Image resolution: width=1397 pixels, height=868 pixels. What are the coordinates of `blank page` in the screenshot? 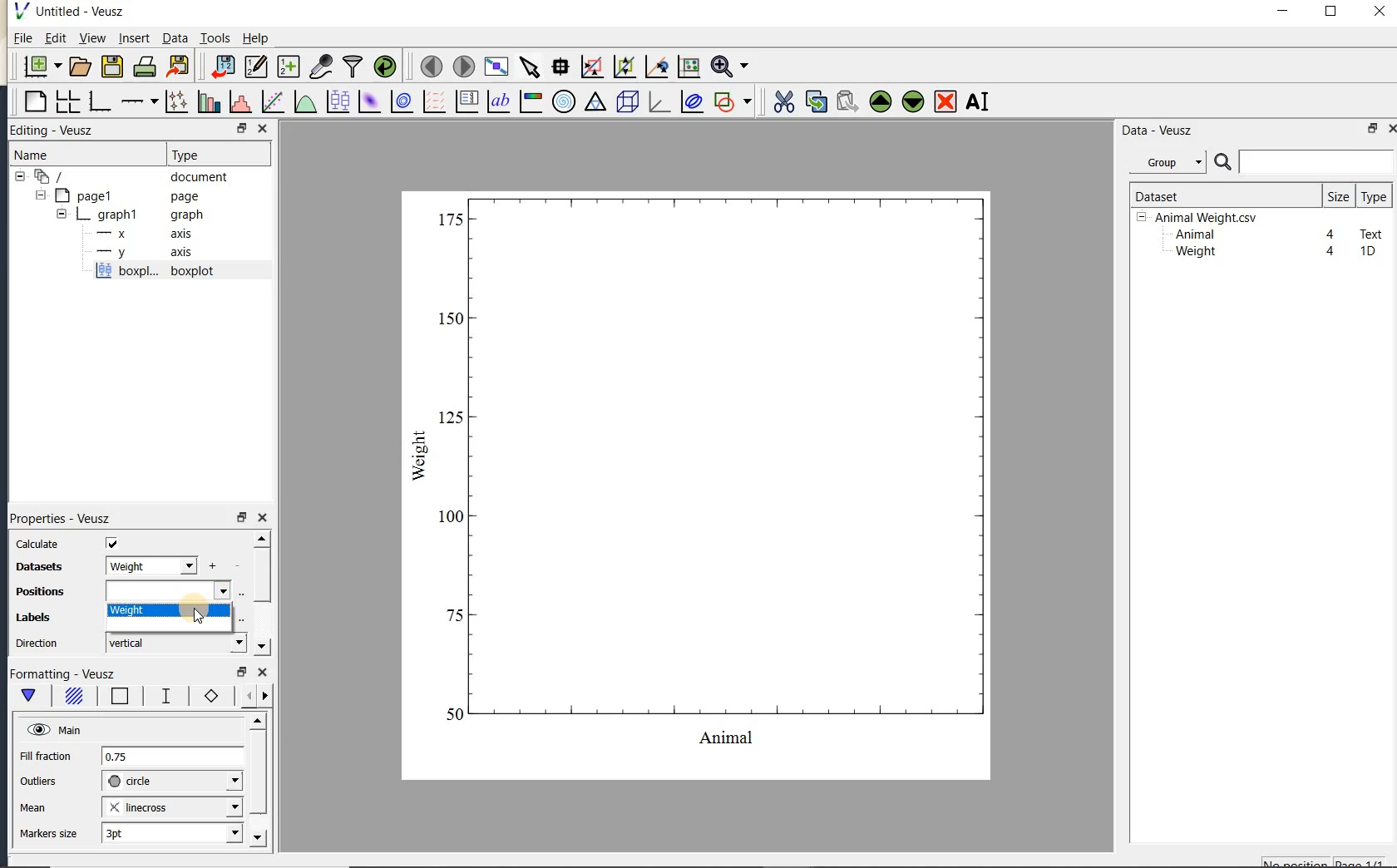 It's located at (33, 102).